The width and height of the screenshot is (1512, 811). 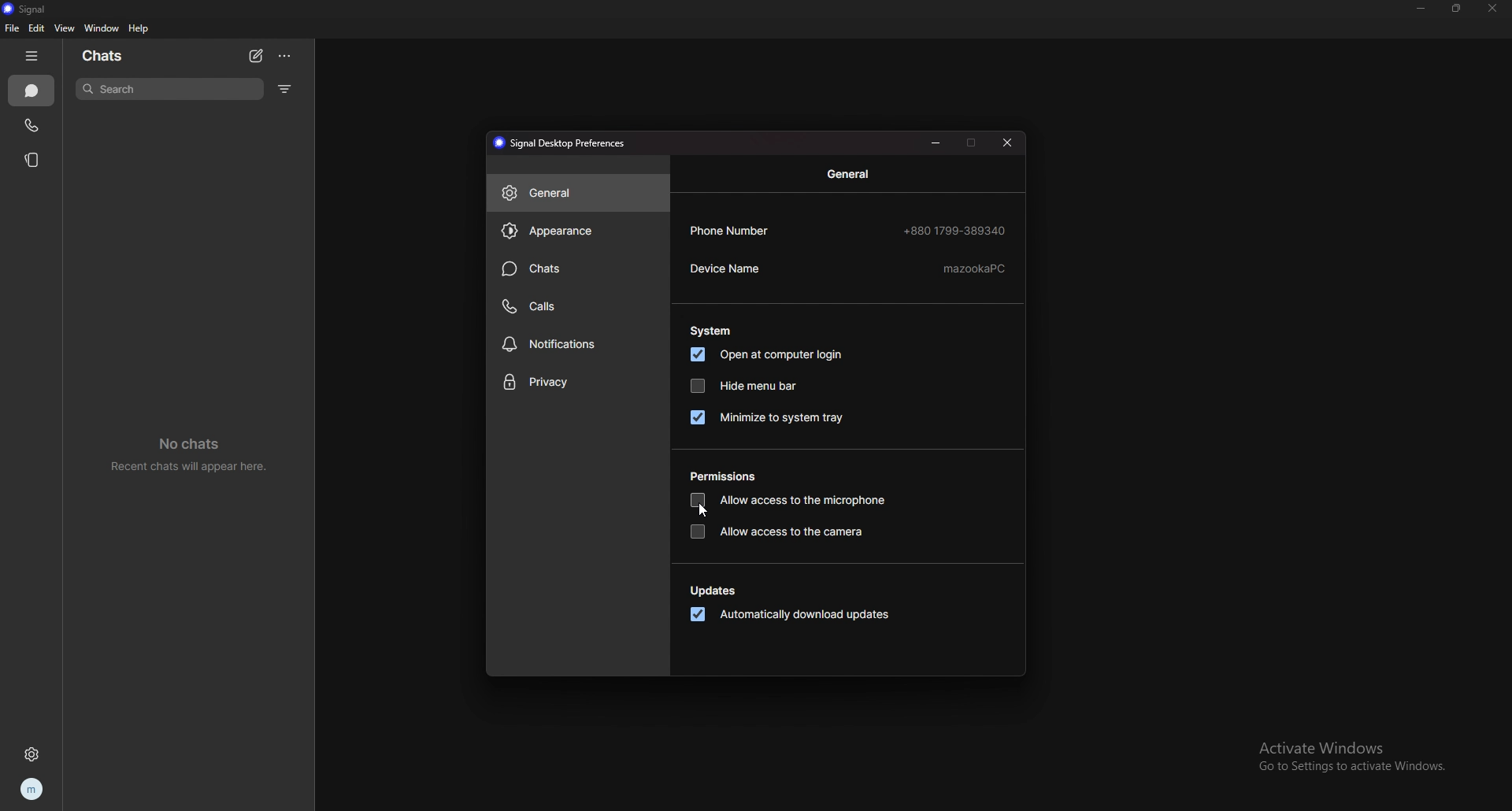 What do you see at coordinates (1492, 9) in the screenshot?
I see `close` at bounding box center [1492, 9].